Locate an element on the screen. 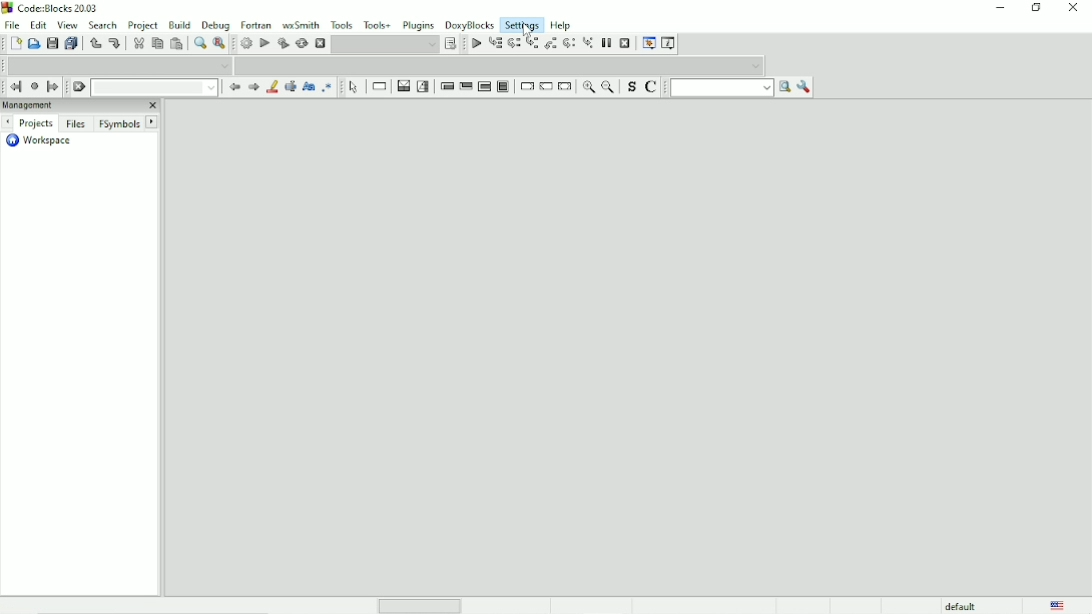 Image resolution: width=1092 pixels, height=614 pixels. Code : Blocks 20.03 is located at coordinates (53, 7).